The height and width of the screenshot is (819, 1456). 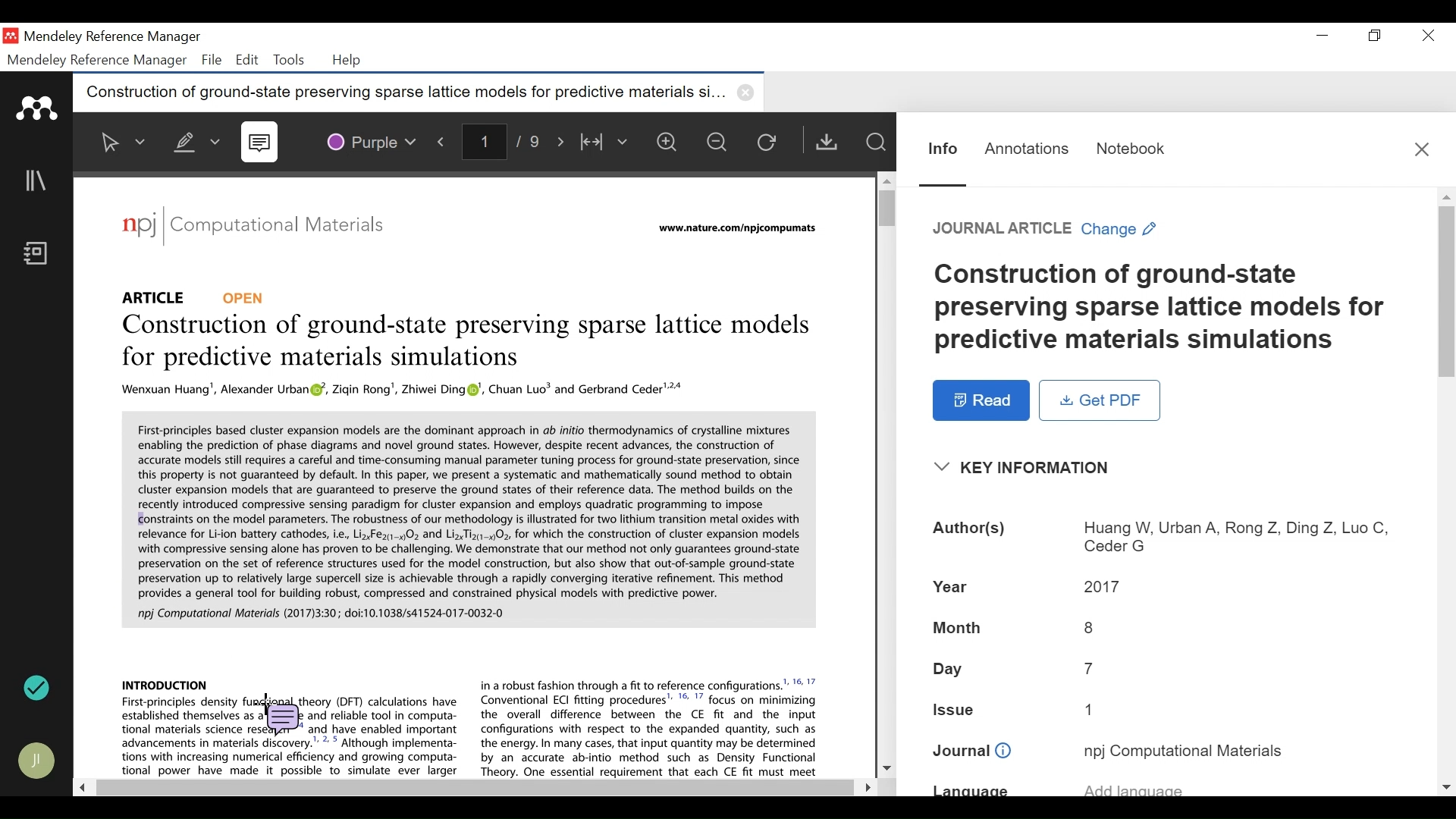 What do you see at coordinates (38, 108) in the screenshot?
I see `Mendeley Logo` at bounding box center [38, 108].